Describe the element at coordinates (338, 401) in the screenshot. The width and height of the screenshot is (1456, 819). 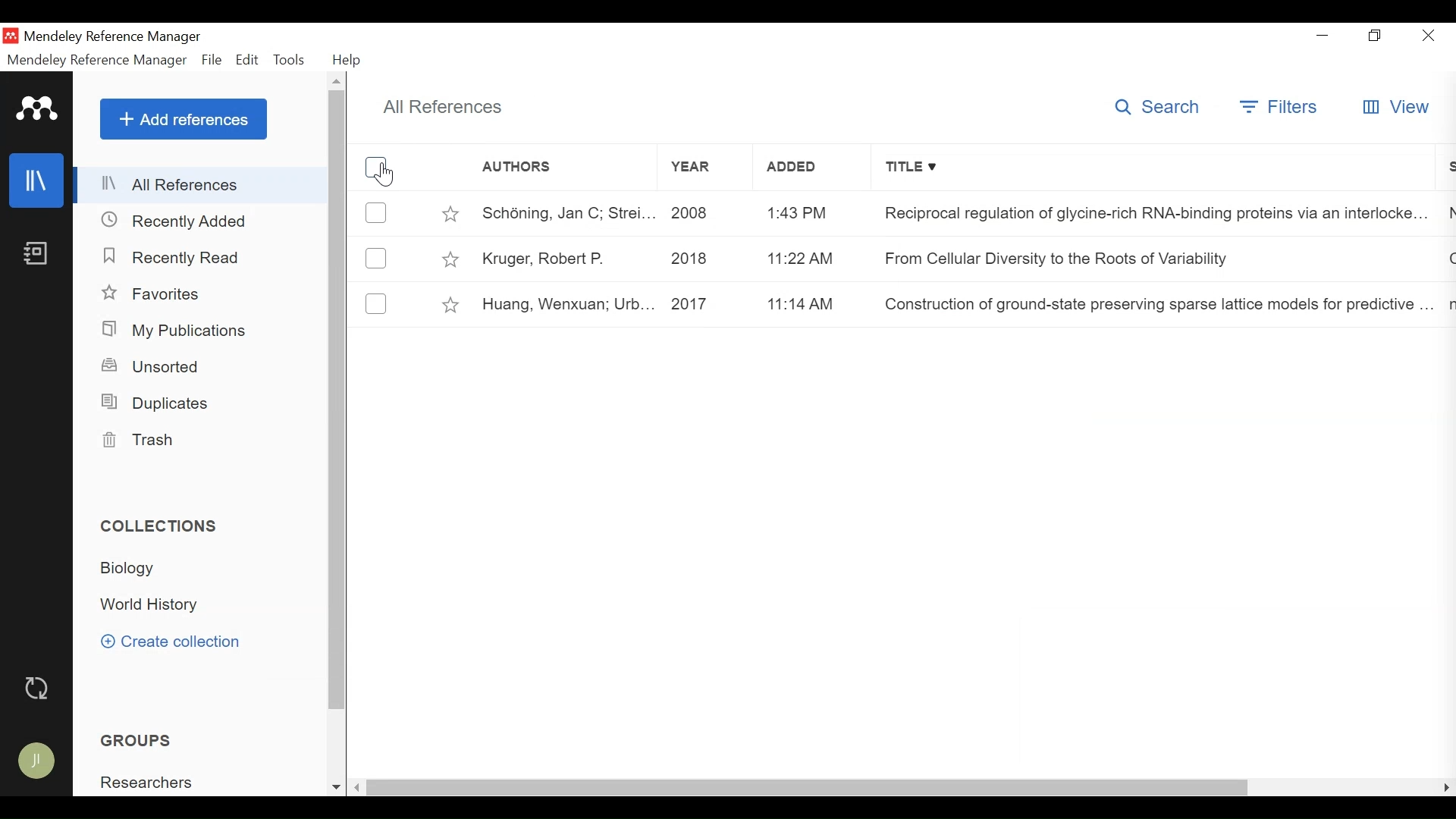
I see `Vertical Scroll bar` at that location.